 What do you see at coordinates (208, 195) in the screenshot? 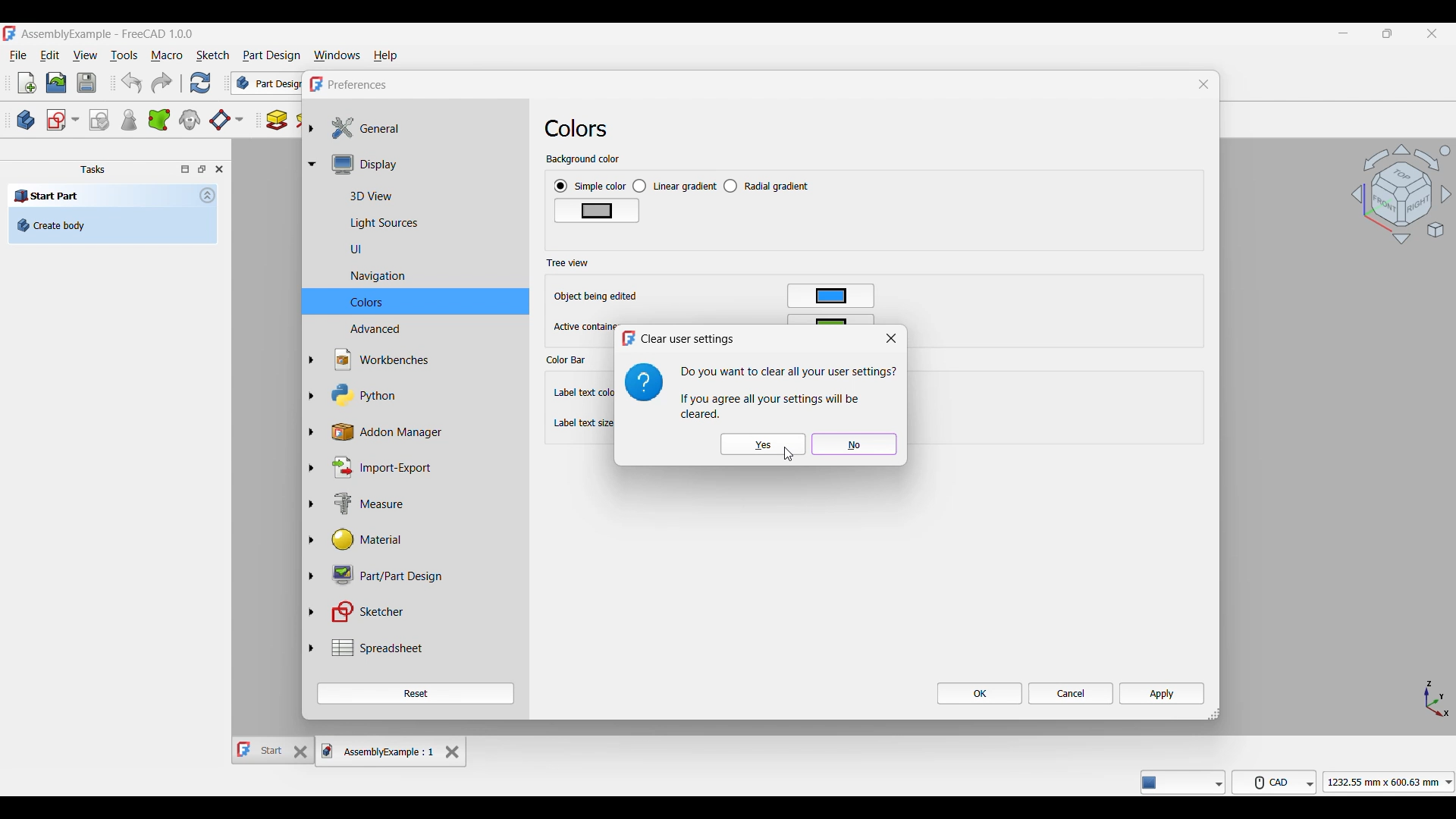
I see `Collapse` at bounding box center [208, 195].